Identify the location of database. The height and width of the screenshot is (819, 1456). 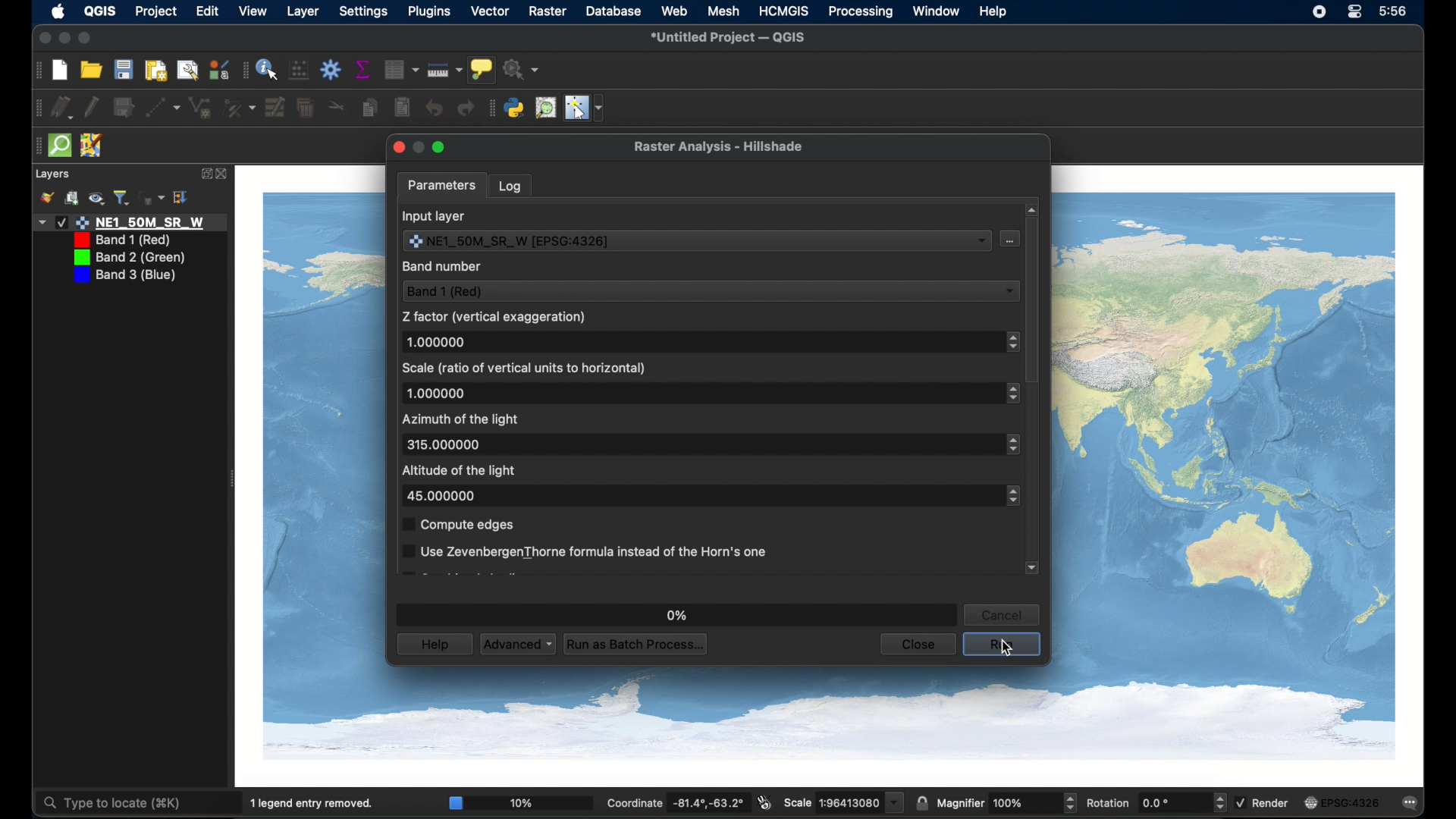
(612, 11).